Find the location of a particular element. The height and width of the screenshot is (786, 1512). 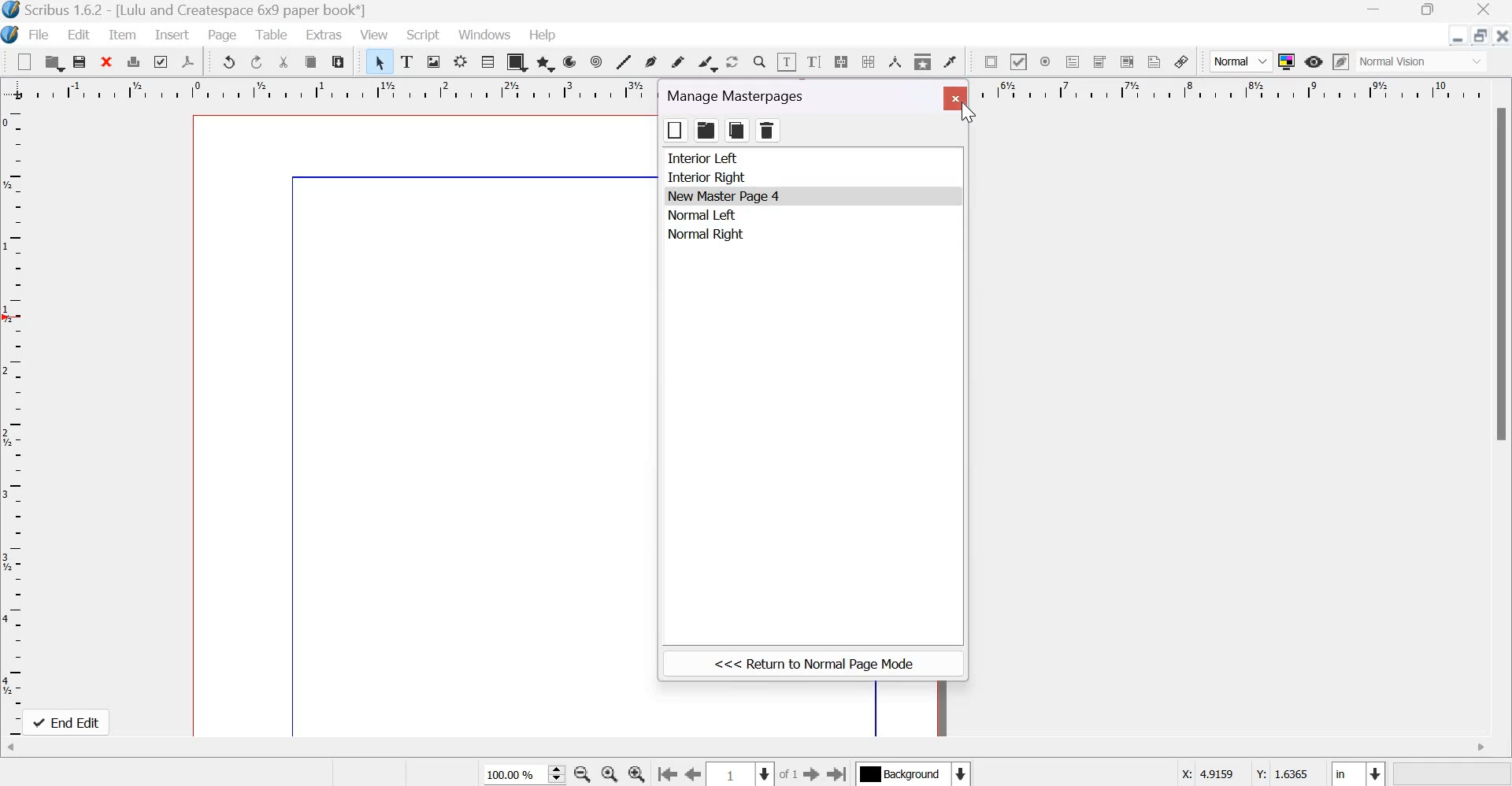

preflight verifier is located at coordinates (162, 61).